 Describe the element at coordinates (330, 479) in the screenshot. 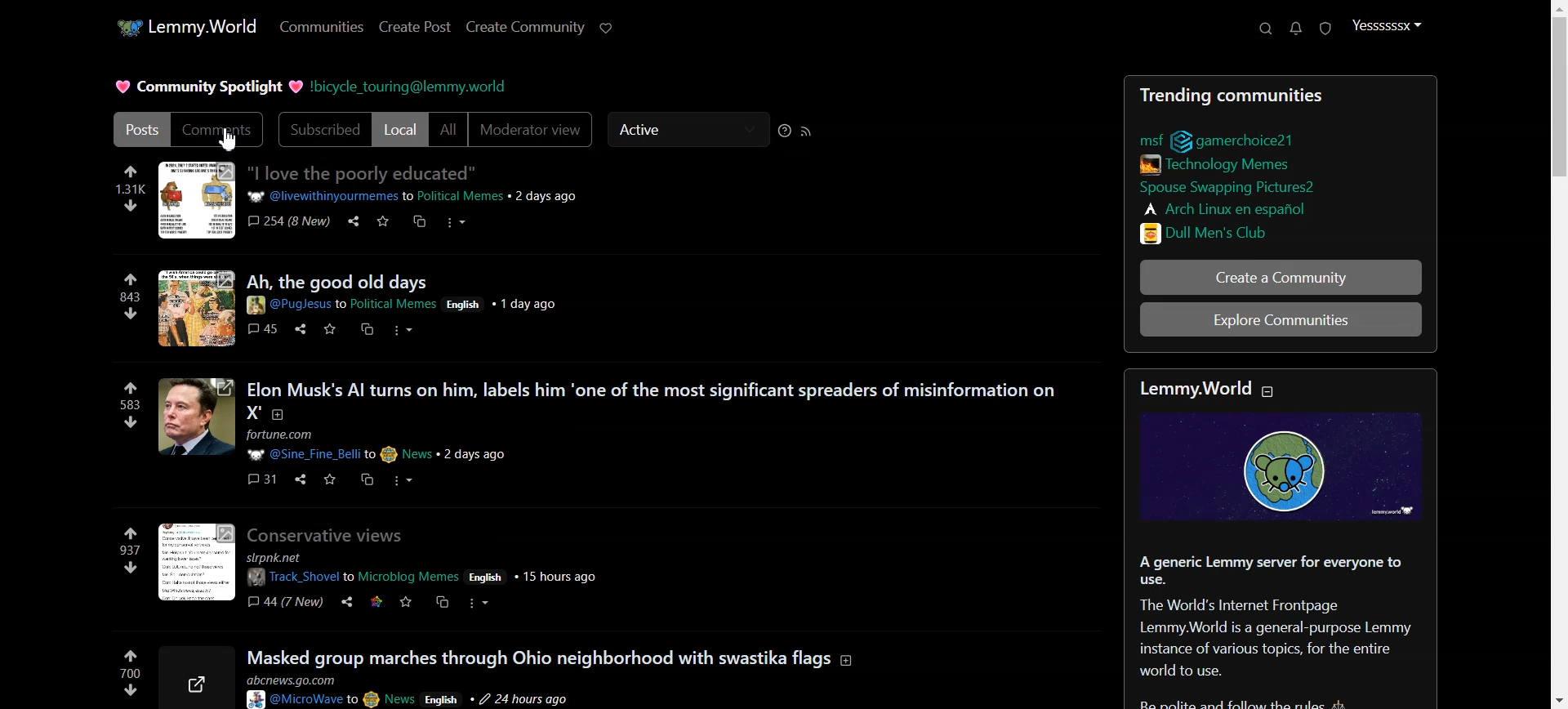

I see `save` at that location.